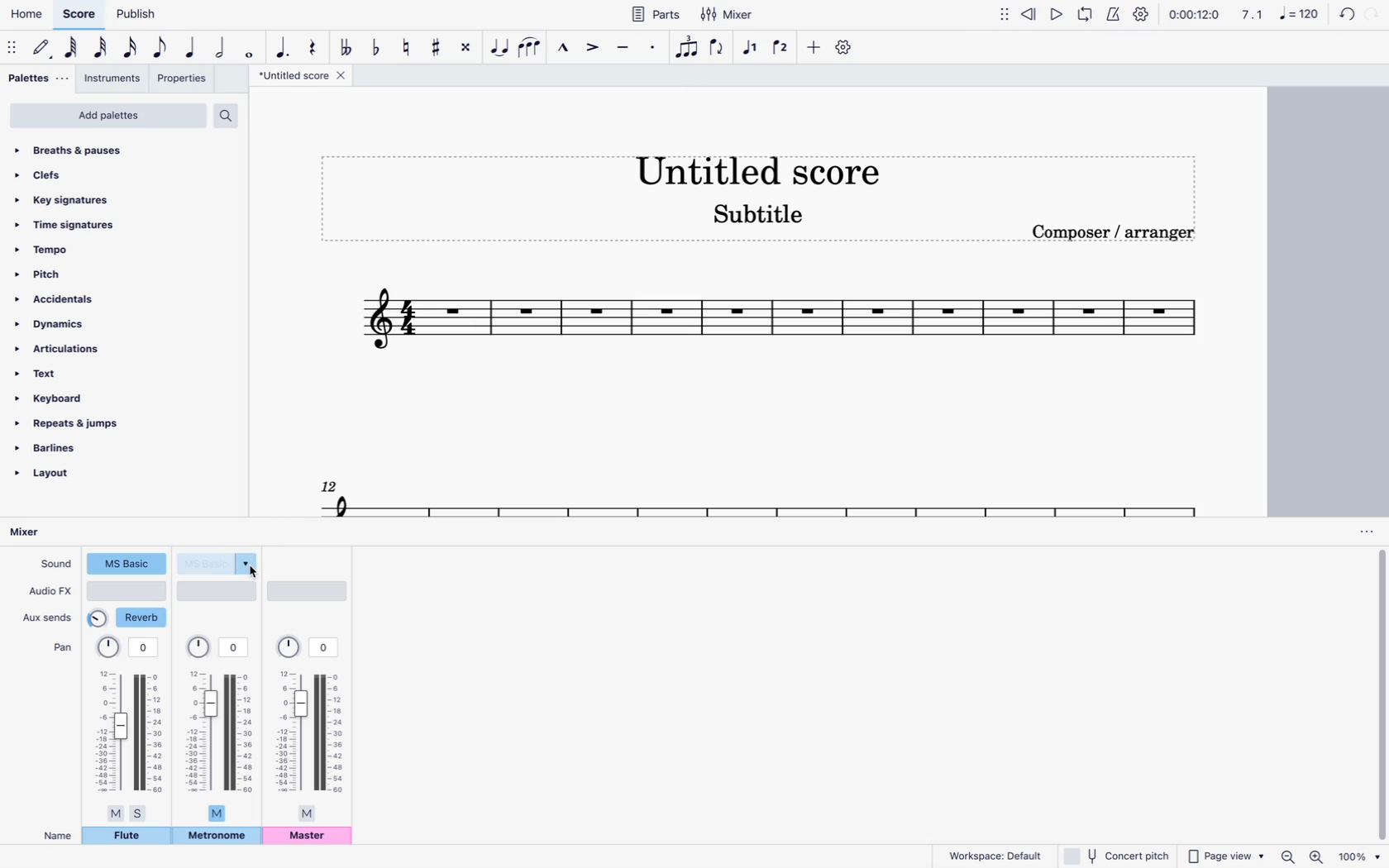 The height and width of the screenshot is (868, 1389). What do you see at coordinates (438, 50) in the screenshot?
I see `toggle sharp` at bounding box center [438, 50].